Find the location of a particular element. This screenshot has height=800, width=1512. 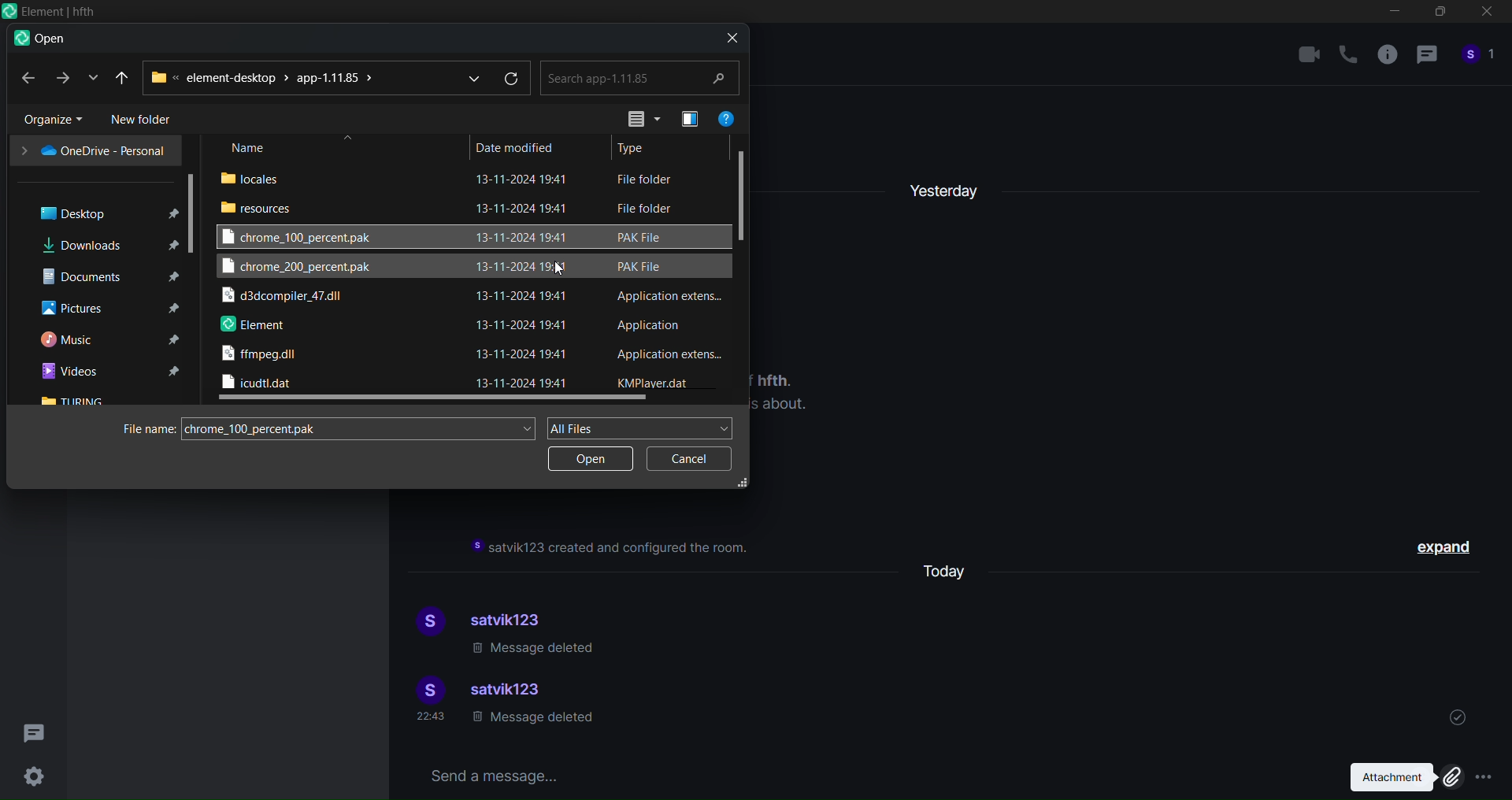

cancel is located at coordinates (686, 460).